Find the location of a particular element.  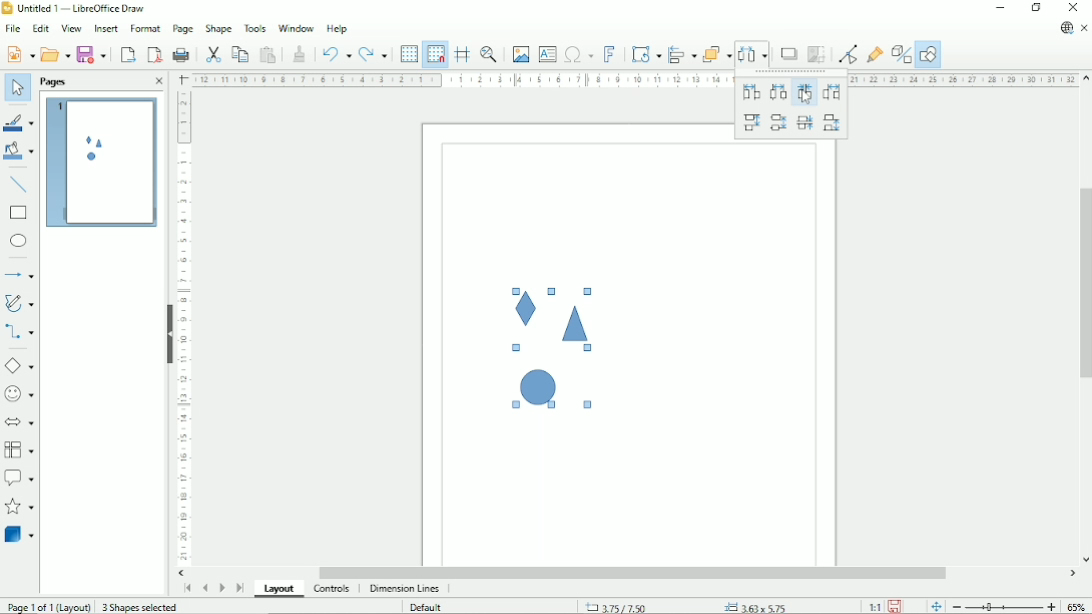

Hide is located at coordinates (169, 334).